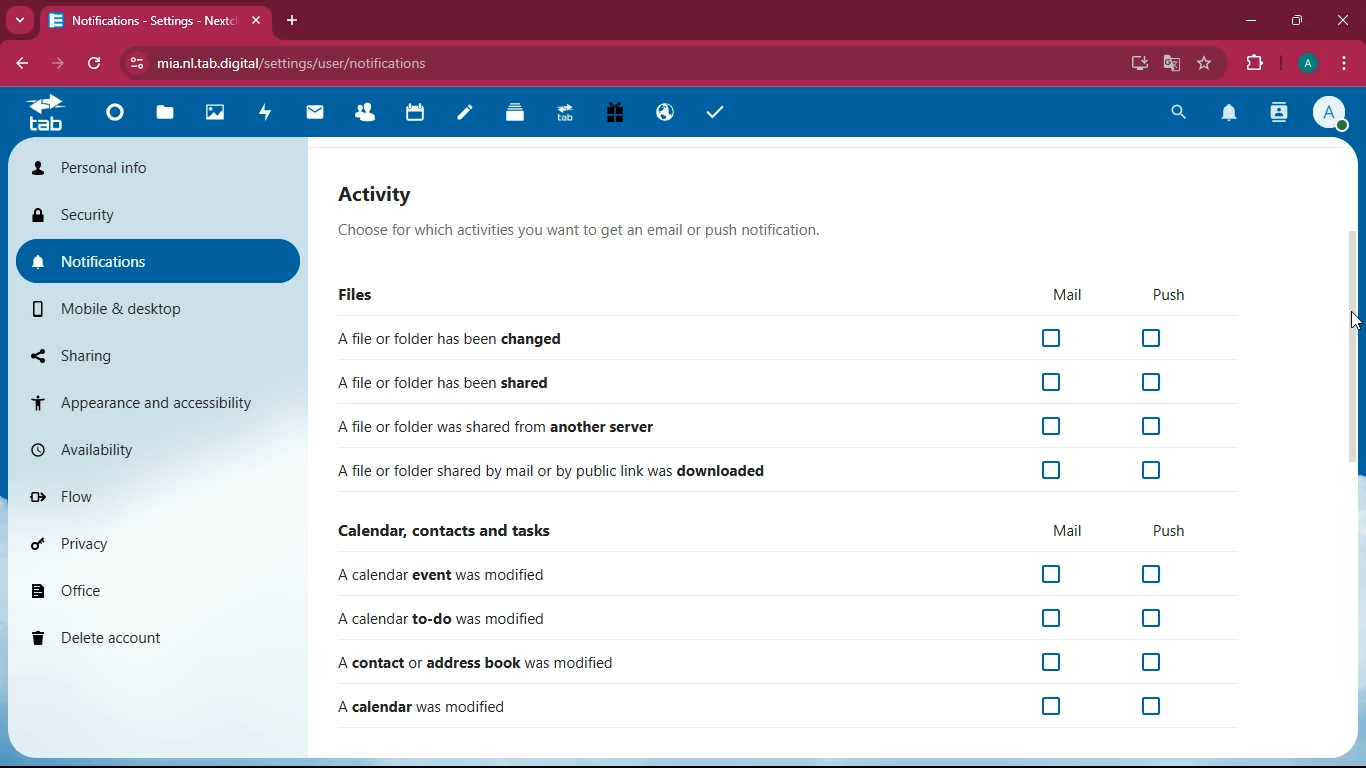 This screenshot has width=1366, height=768. I want to click on install app, so click(1139, 63).